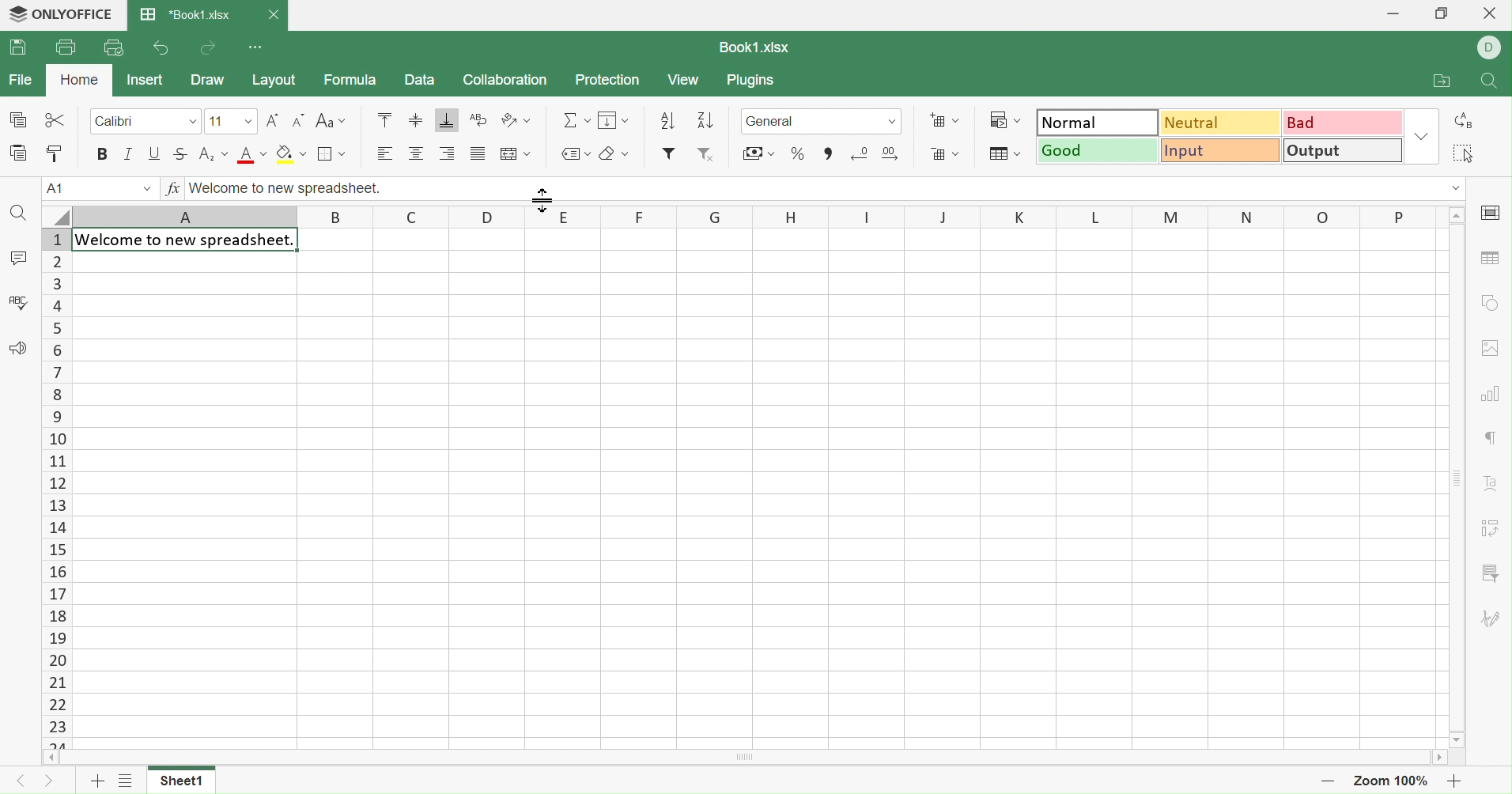 This screenshot has height=794, width=1512. What do you see at coordinates (18, 781) in the screenshot?
I see `Previous` at bounding box center [18, 781].